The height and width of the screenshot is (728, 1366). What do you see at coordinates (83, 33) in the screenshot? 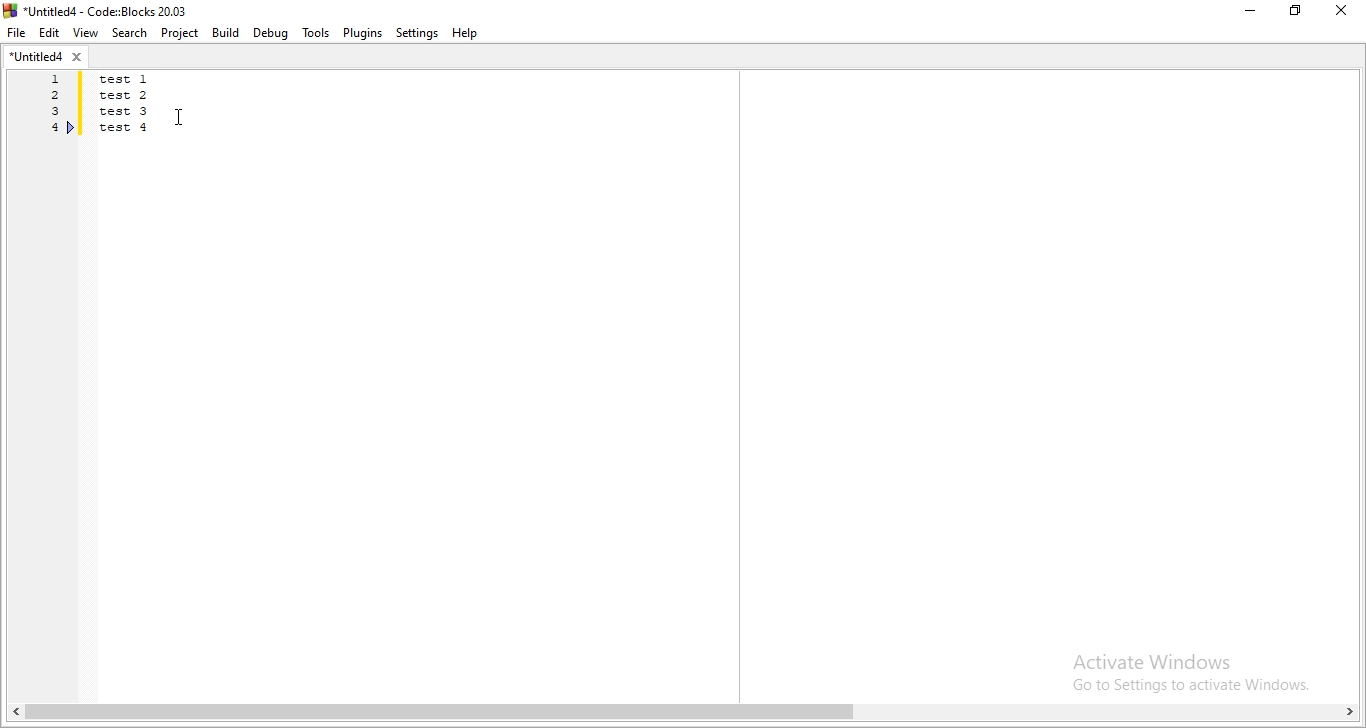
I see `View ` at bounding box center [83, 33].